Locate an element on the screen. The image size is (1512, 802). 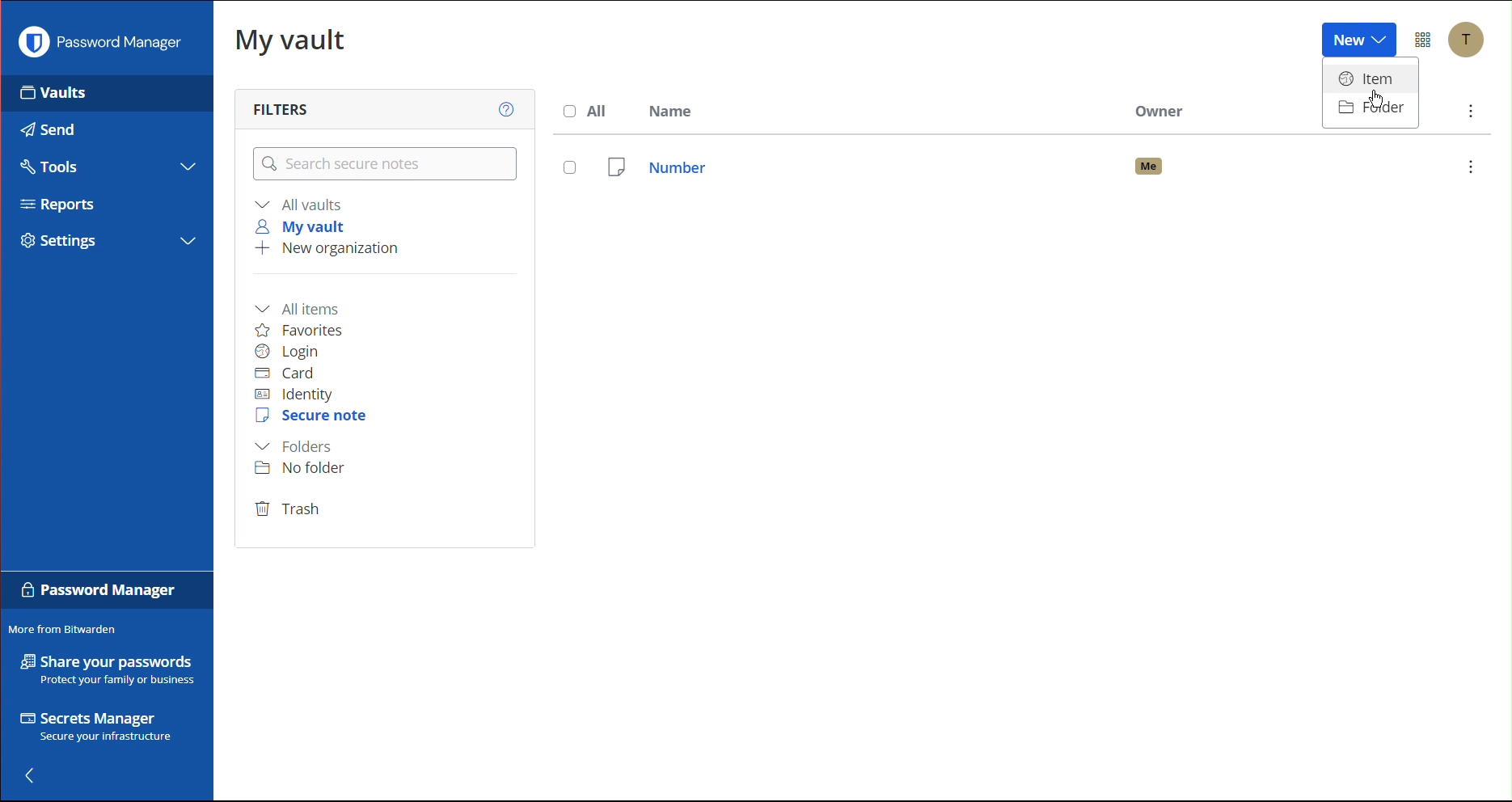
Name is located at coordinates (674, 110).